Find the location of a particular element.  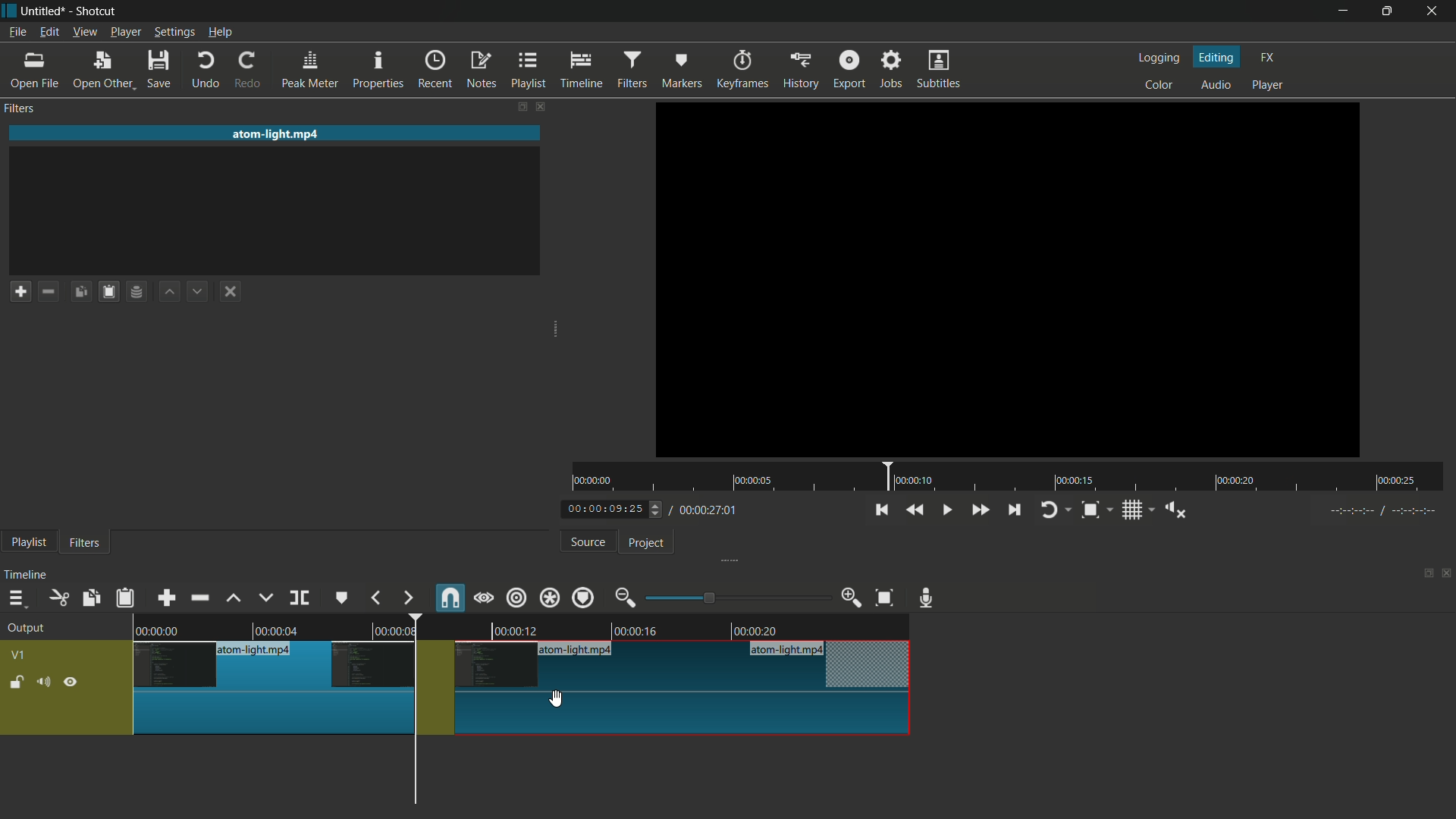

keyframes is located at coordinates (740, 70).